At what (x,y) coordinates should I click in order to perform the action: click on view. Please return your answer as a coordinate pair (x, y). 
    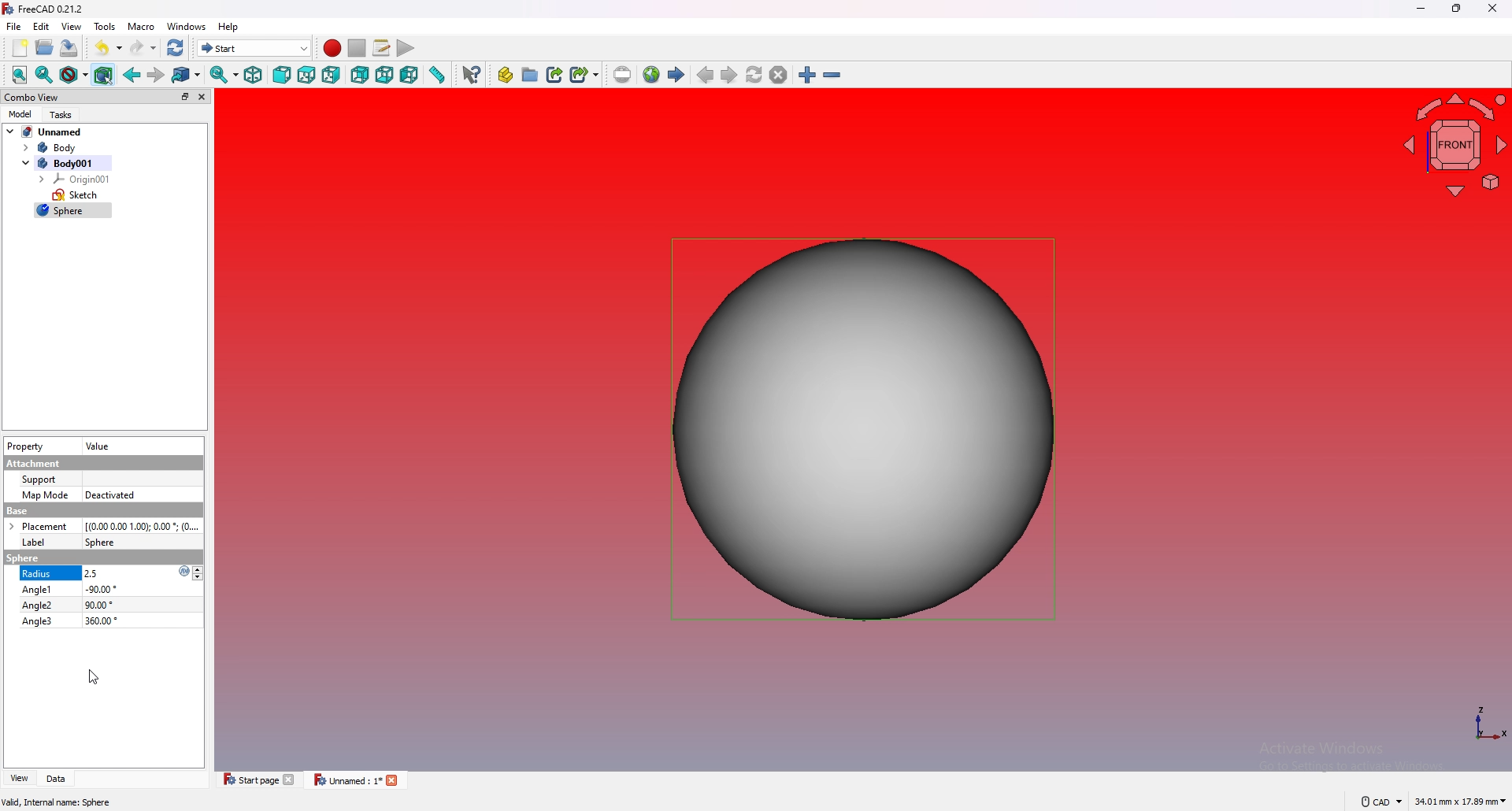
    Looking at the image, I should click on (71, 27).